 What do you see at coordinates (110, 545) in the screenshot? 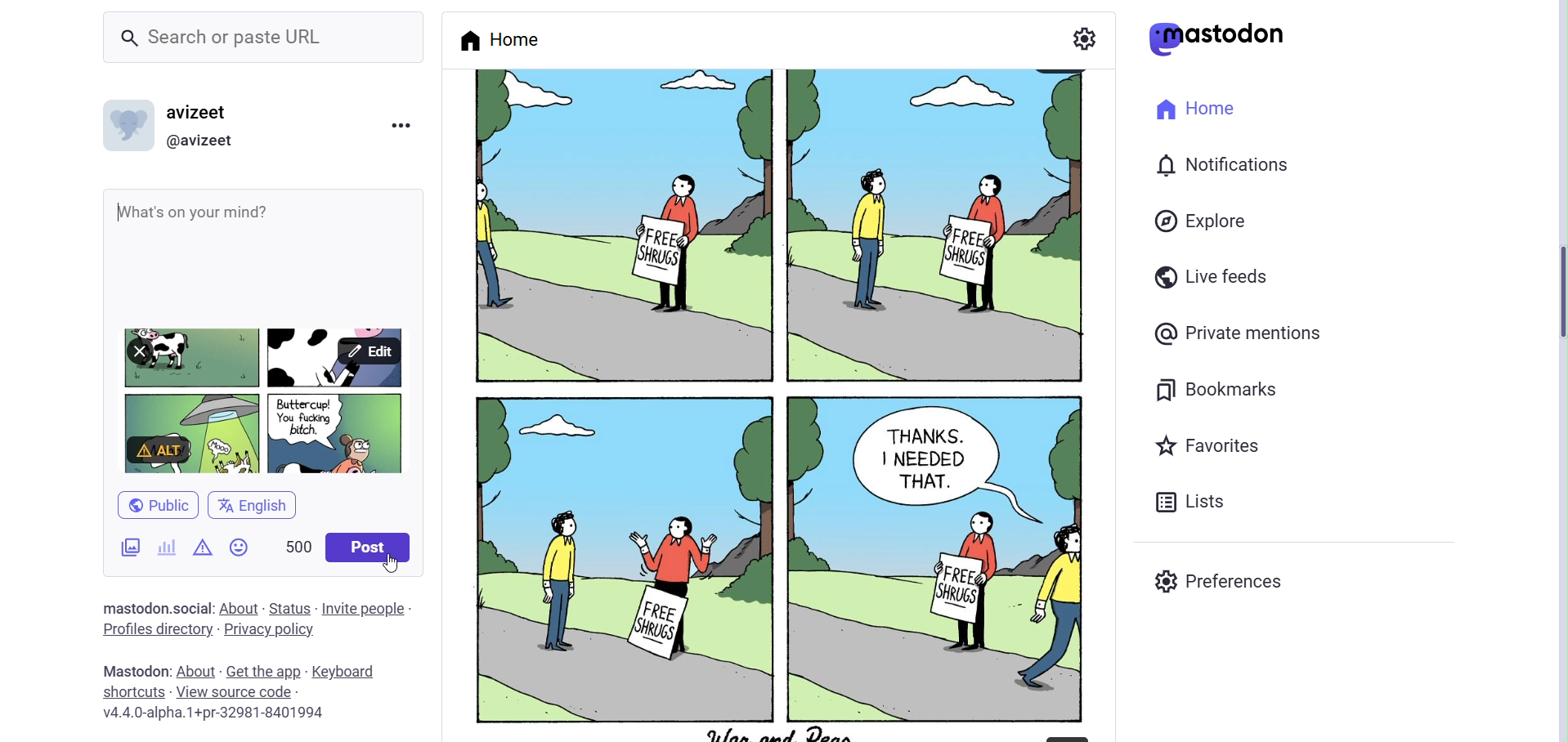
I see `Ad Images` at bounding box center [110, 545].